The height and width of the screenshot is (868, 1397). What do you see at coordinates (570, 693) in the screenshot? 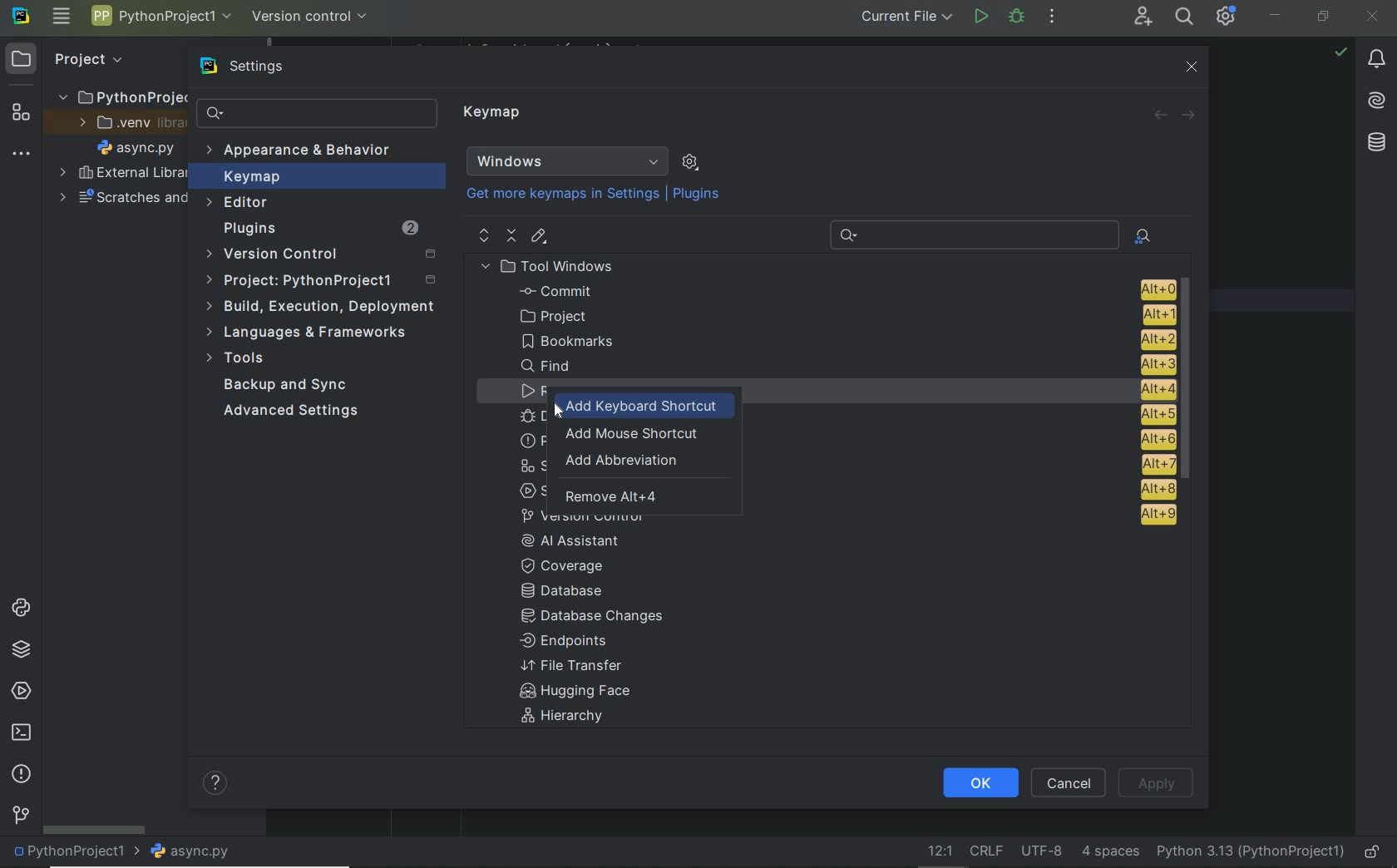
I see `Hugging face` at bounding box center [570, 693].